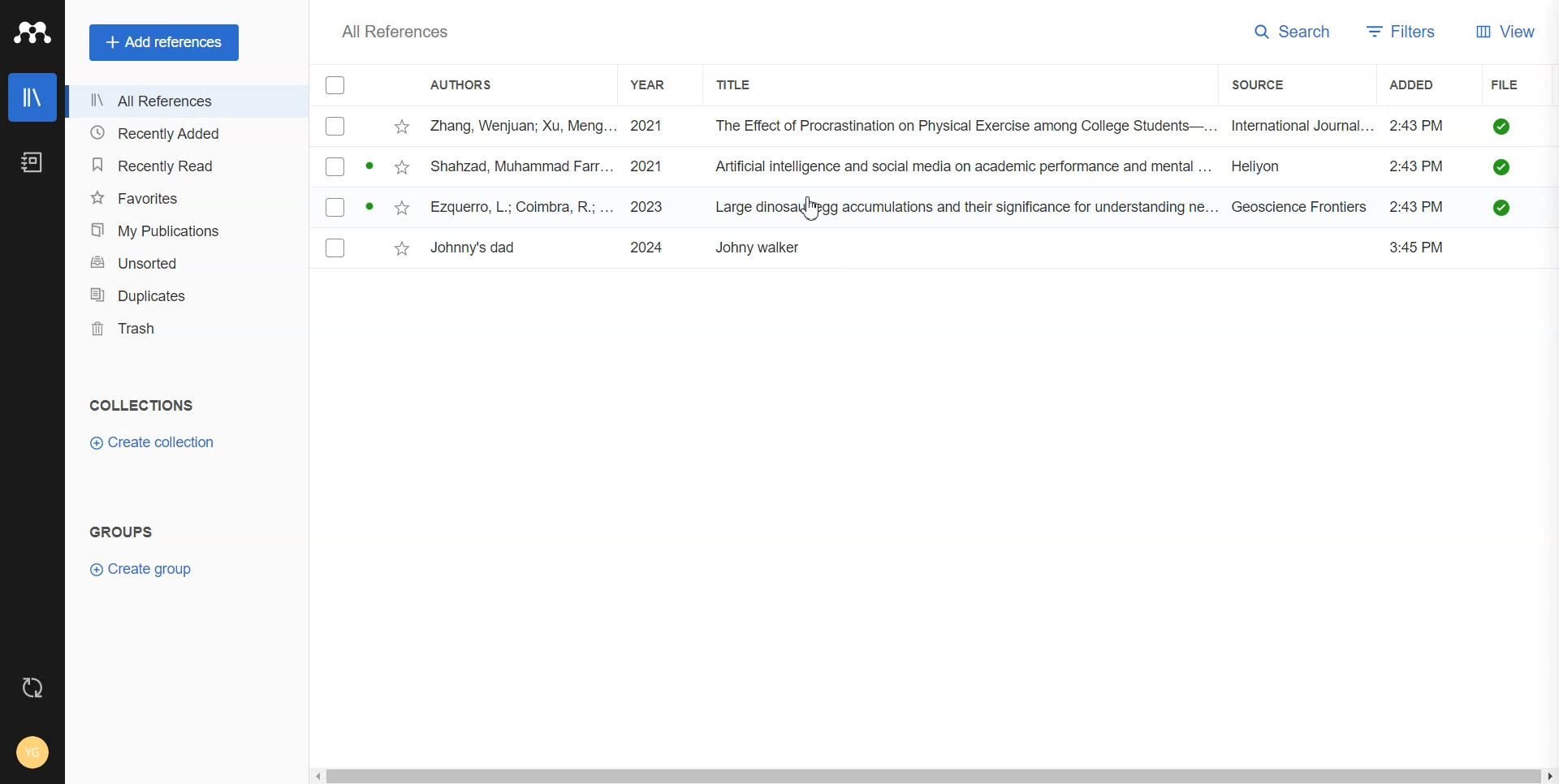 The image size is (1559, 784). What do you see at coordinates (1427, 85) in the screenshot?
I see `Added` at bounding box center [1427, 85].